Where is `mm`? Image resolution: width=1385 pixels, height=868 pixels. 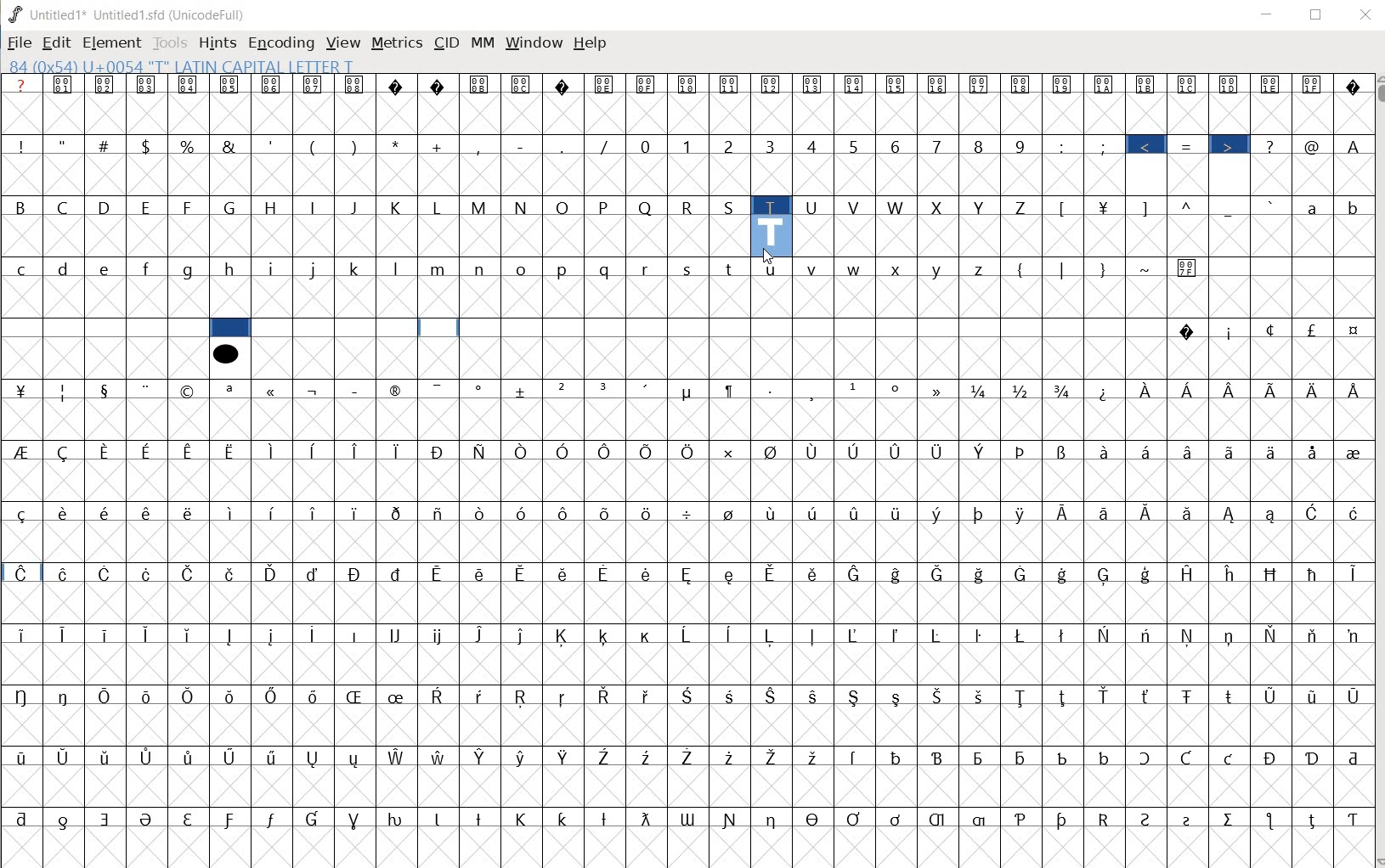 mm is located at coordinates (482, 43).